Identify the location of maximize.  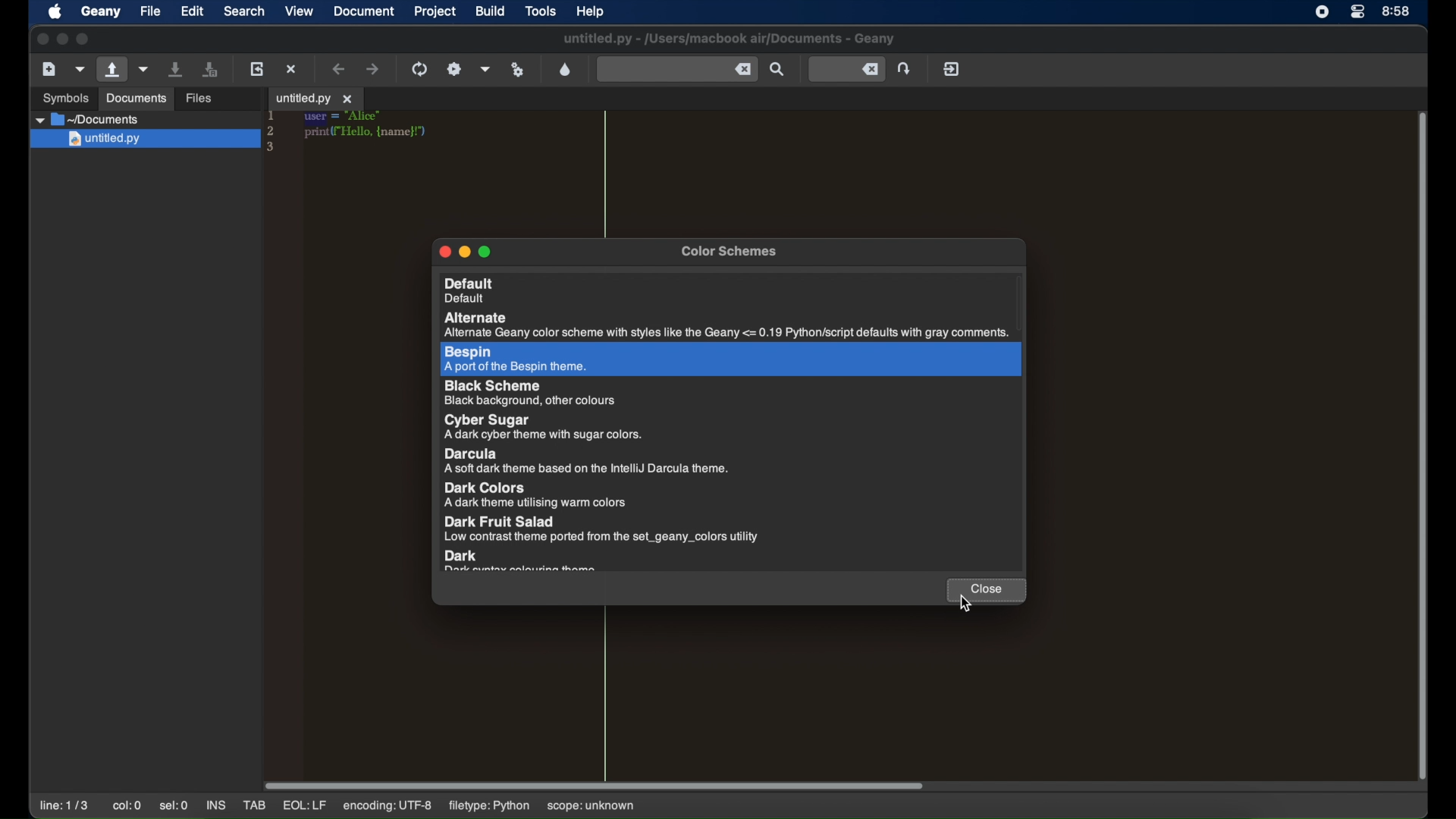
(83, 39).